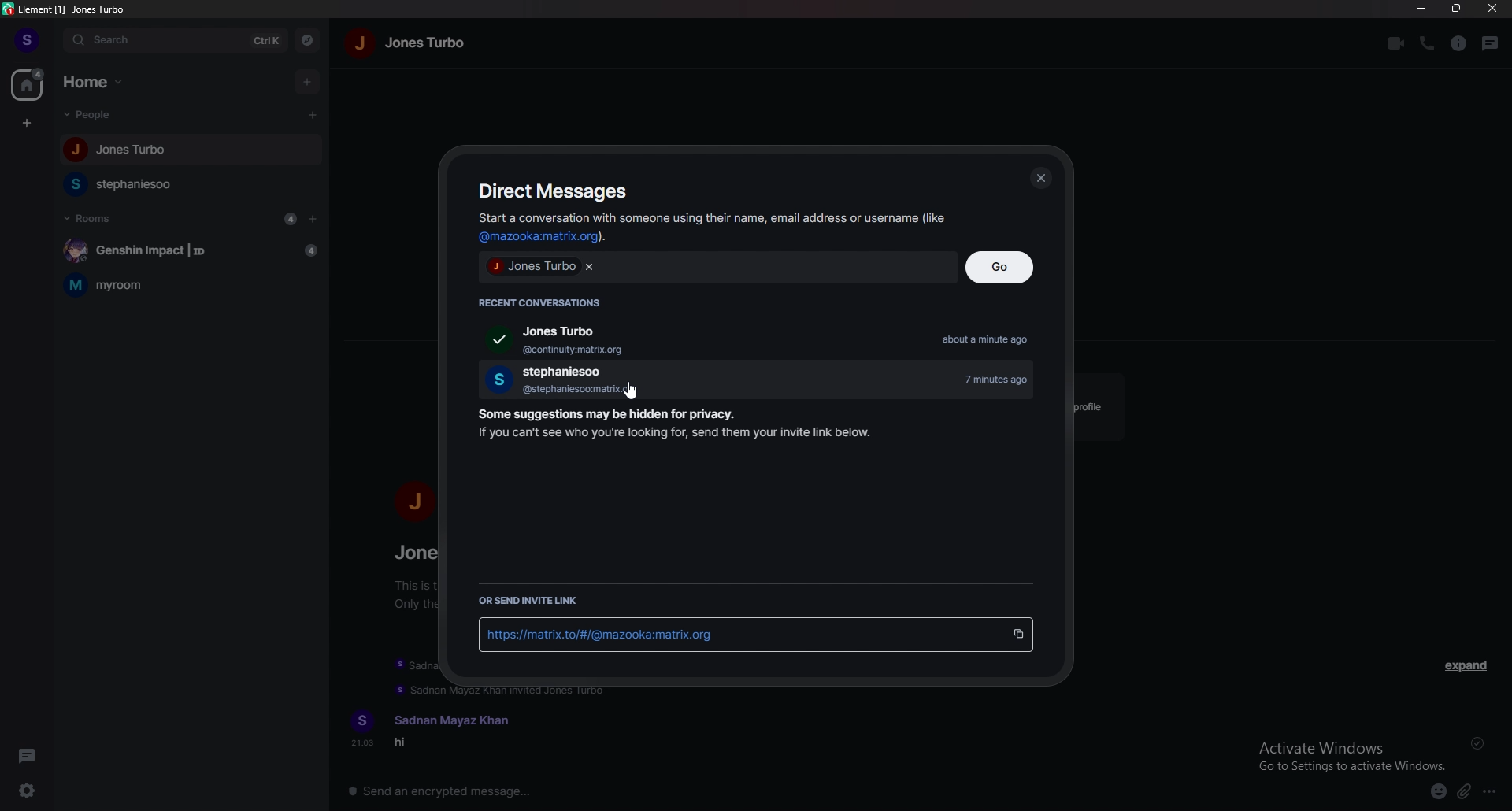 Image resolution: width=1512 pixels, height=811 pixels. I want to click on add, so click(307, 81).